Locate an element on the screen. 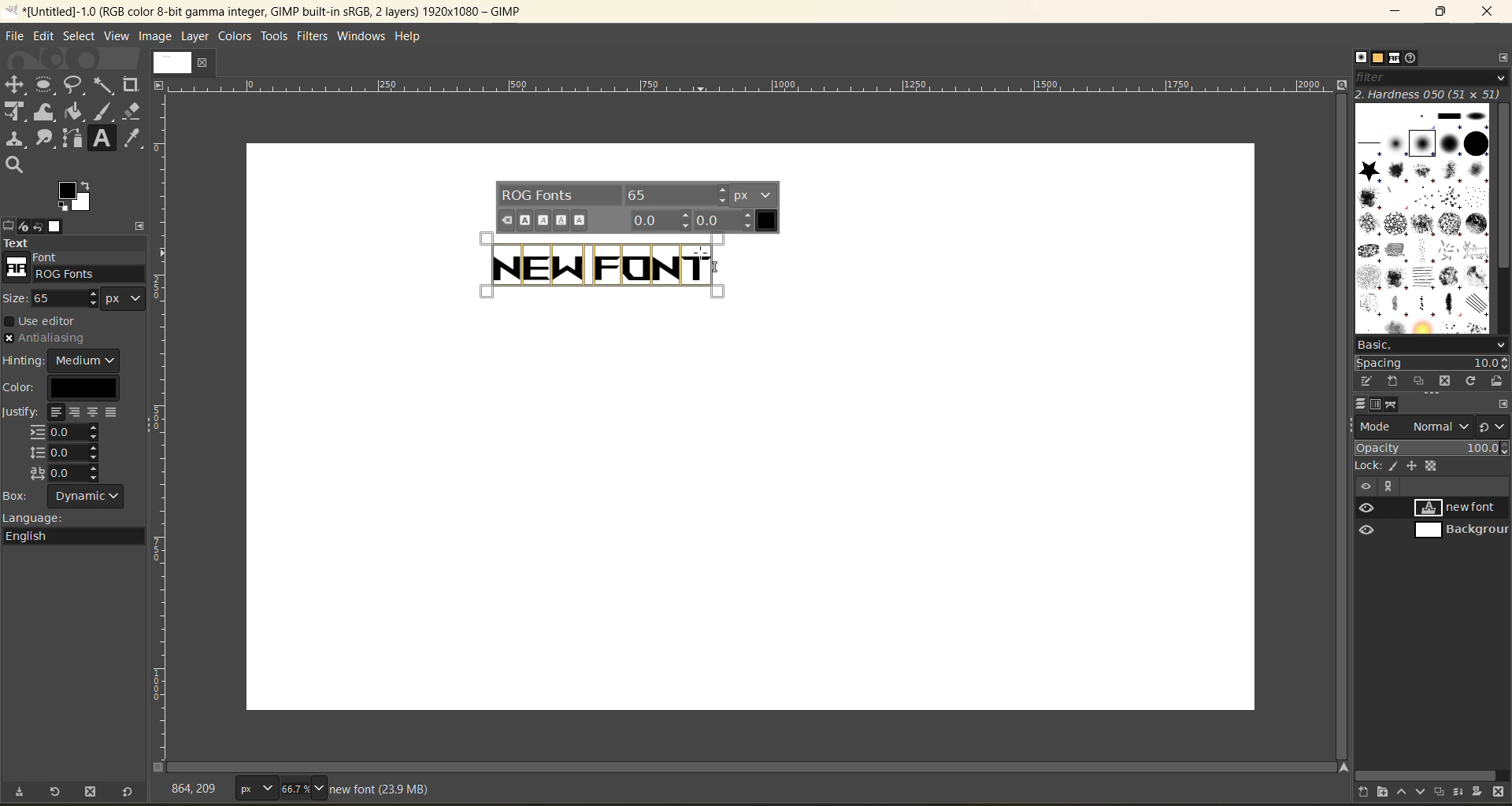  horizontal scroll bar is located at coordinates (759, 767).